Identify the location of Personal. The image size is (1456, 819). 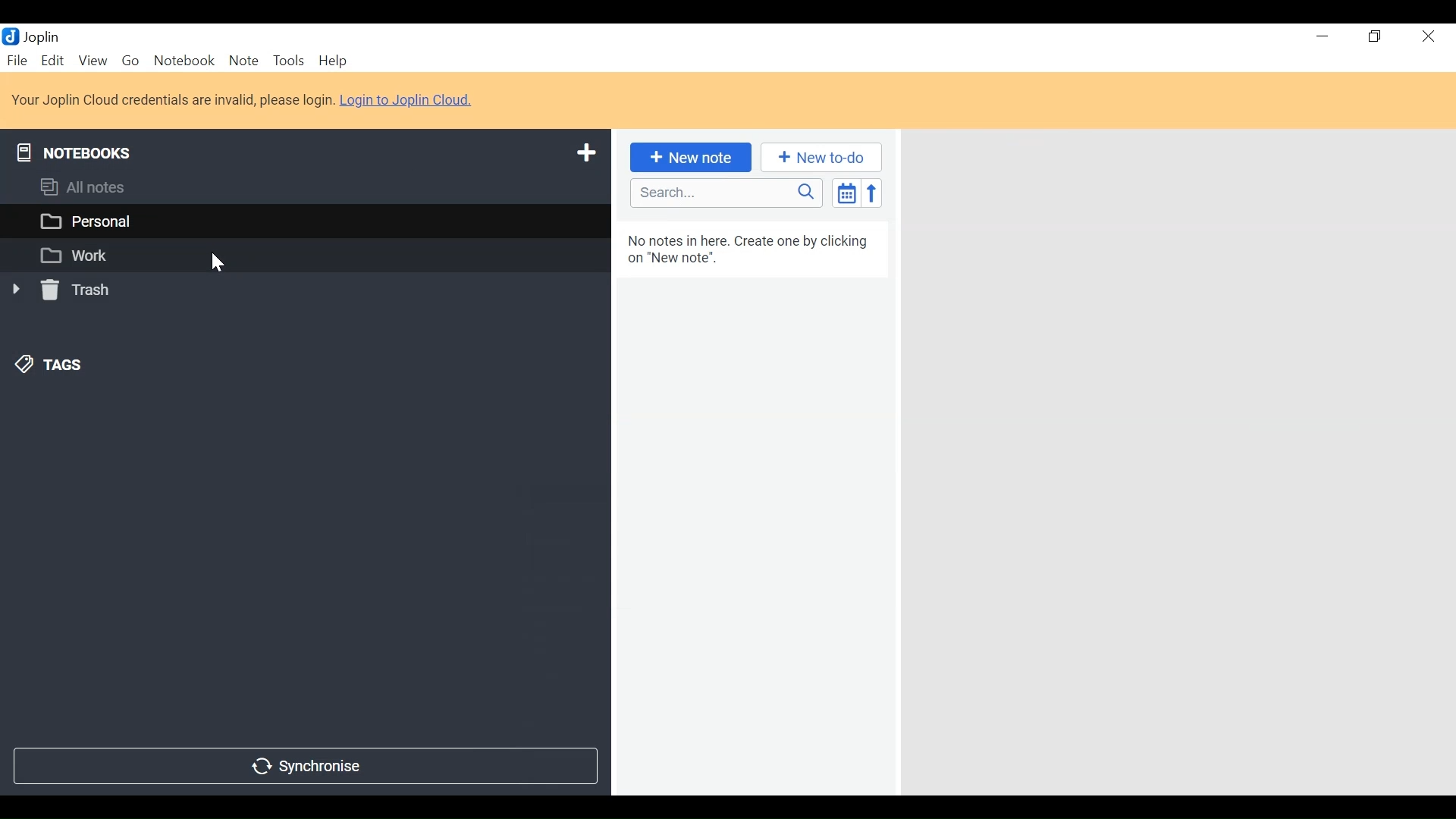
(300, 221).